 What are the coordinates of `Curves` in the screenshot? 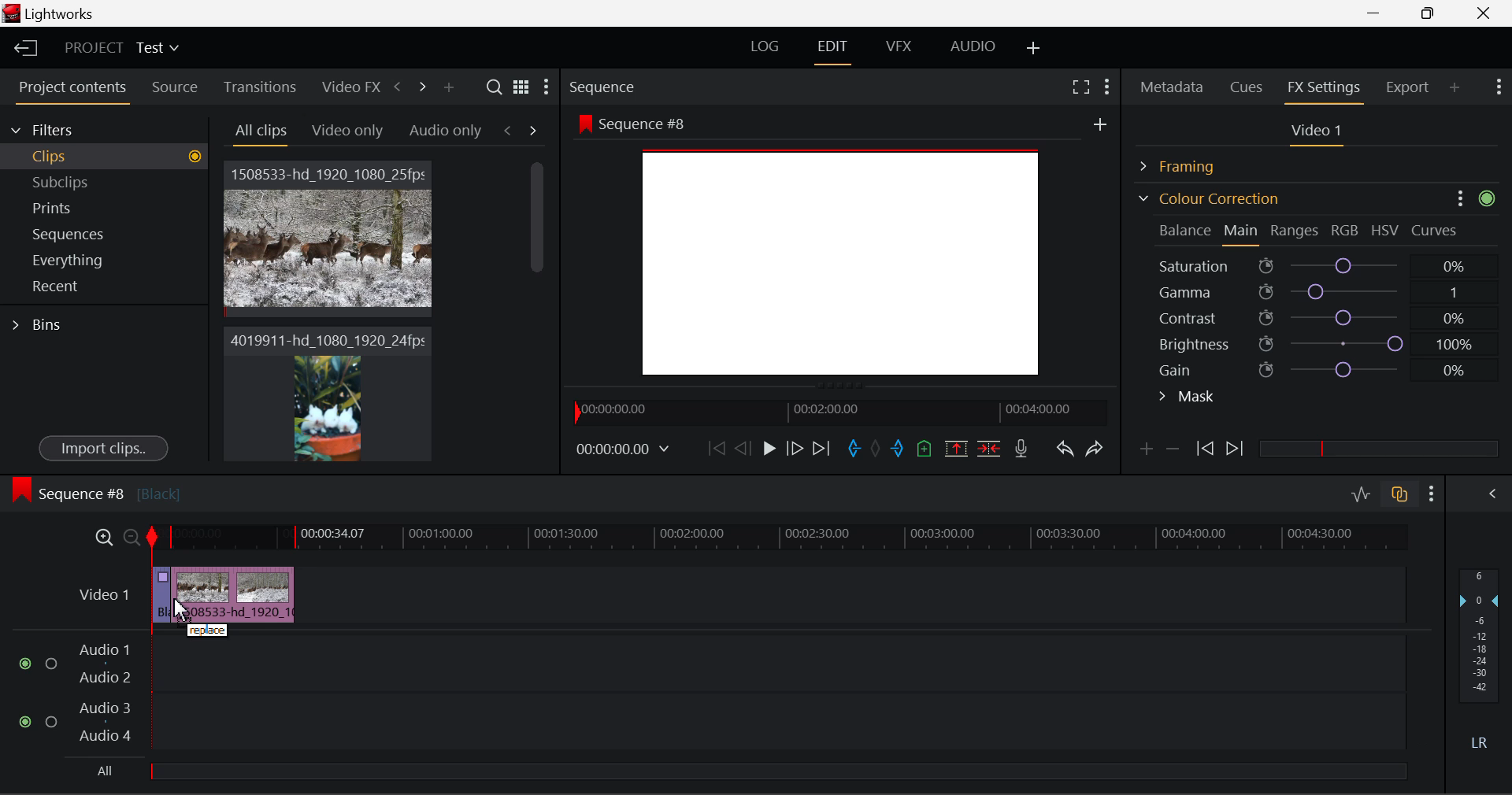 It's located at (1436, 230).